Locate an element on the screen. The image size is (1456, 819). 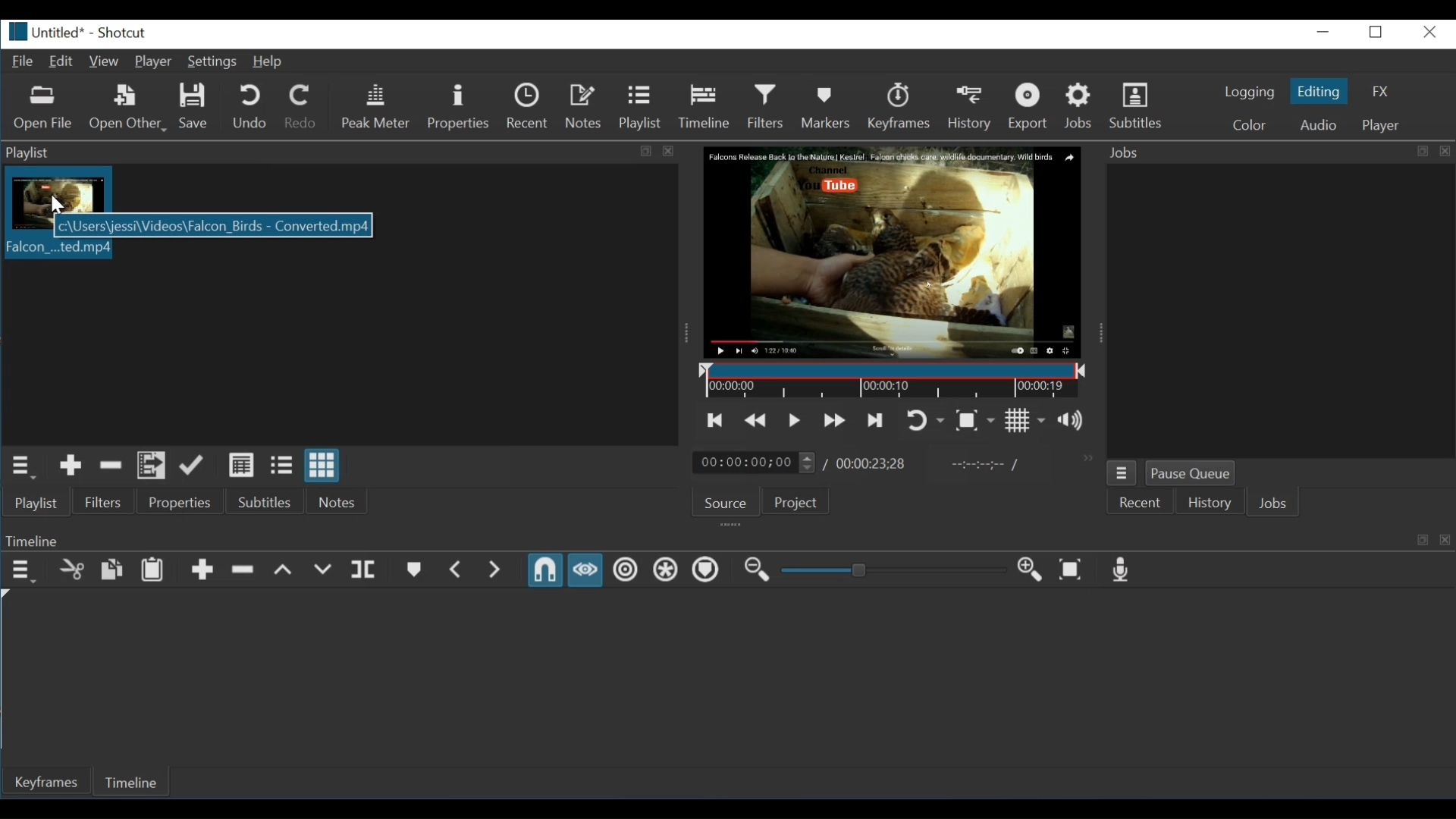
Cursor is located at coordinates (52, 205).